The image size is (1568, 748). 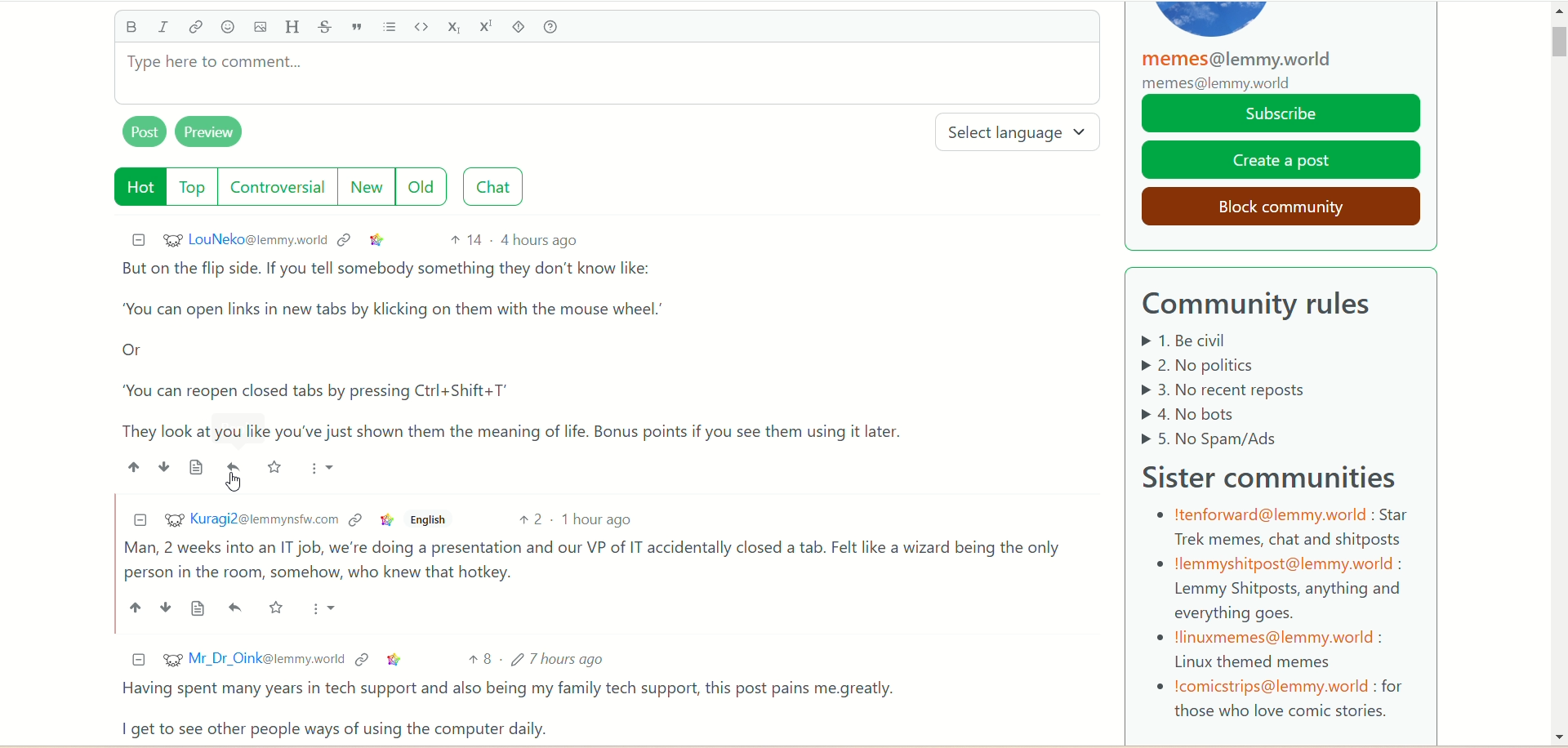 What do you see at coordinates (430, 519) in the screenshot?
I see `english` at bounding box center [430, 519].